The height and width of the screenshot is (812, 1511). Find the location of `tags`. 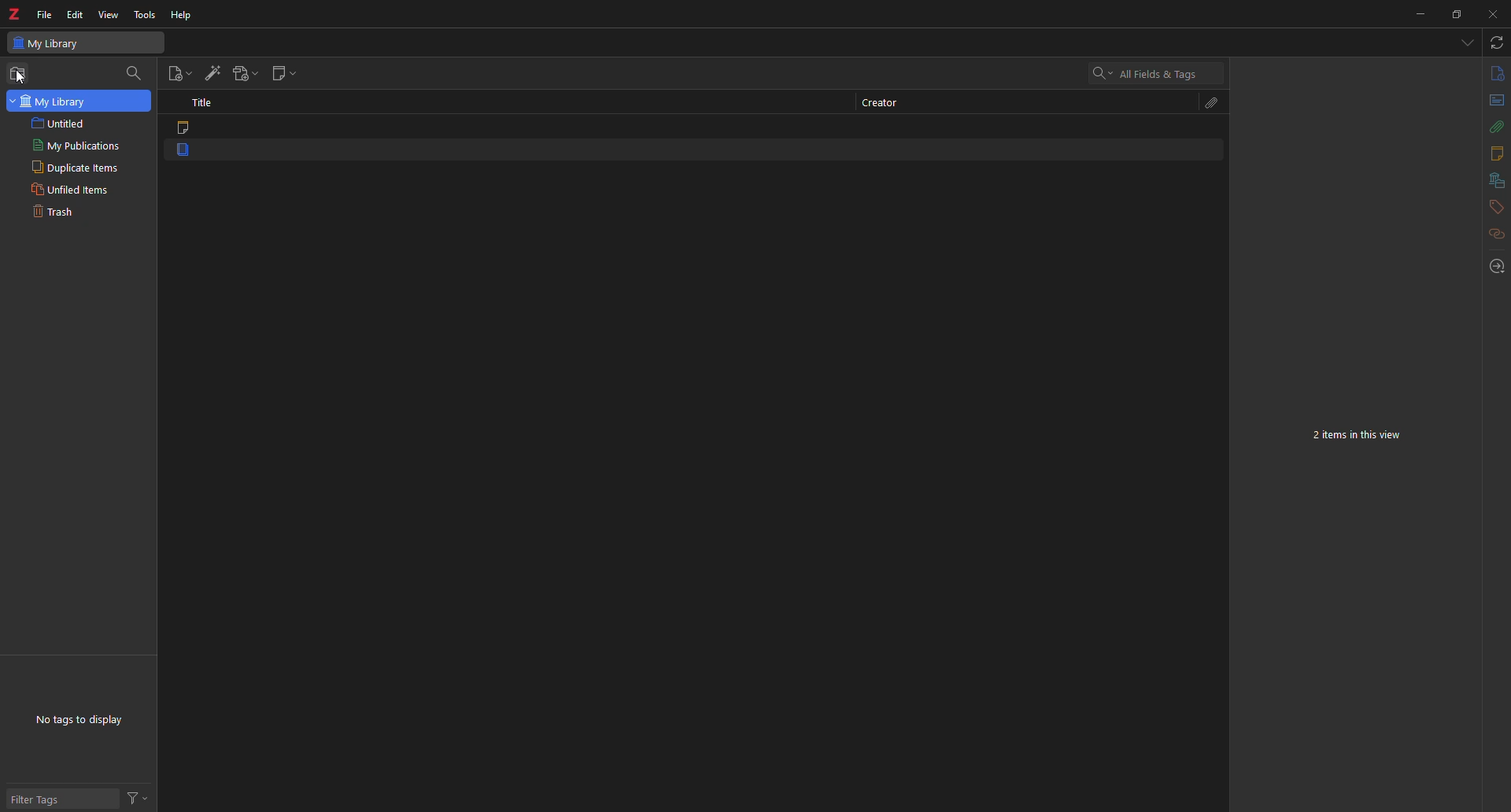

tags is located at coordinates (1492, 208).